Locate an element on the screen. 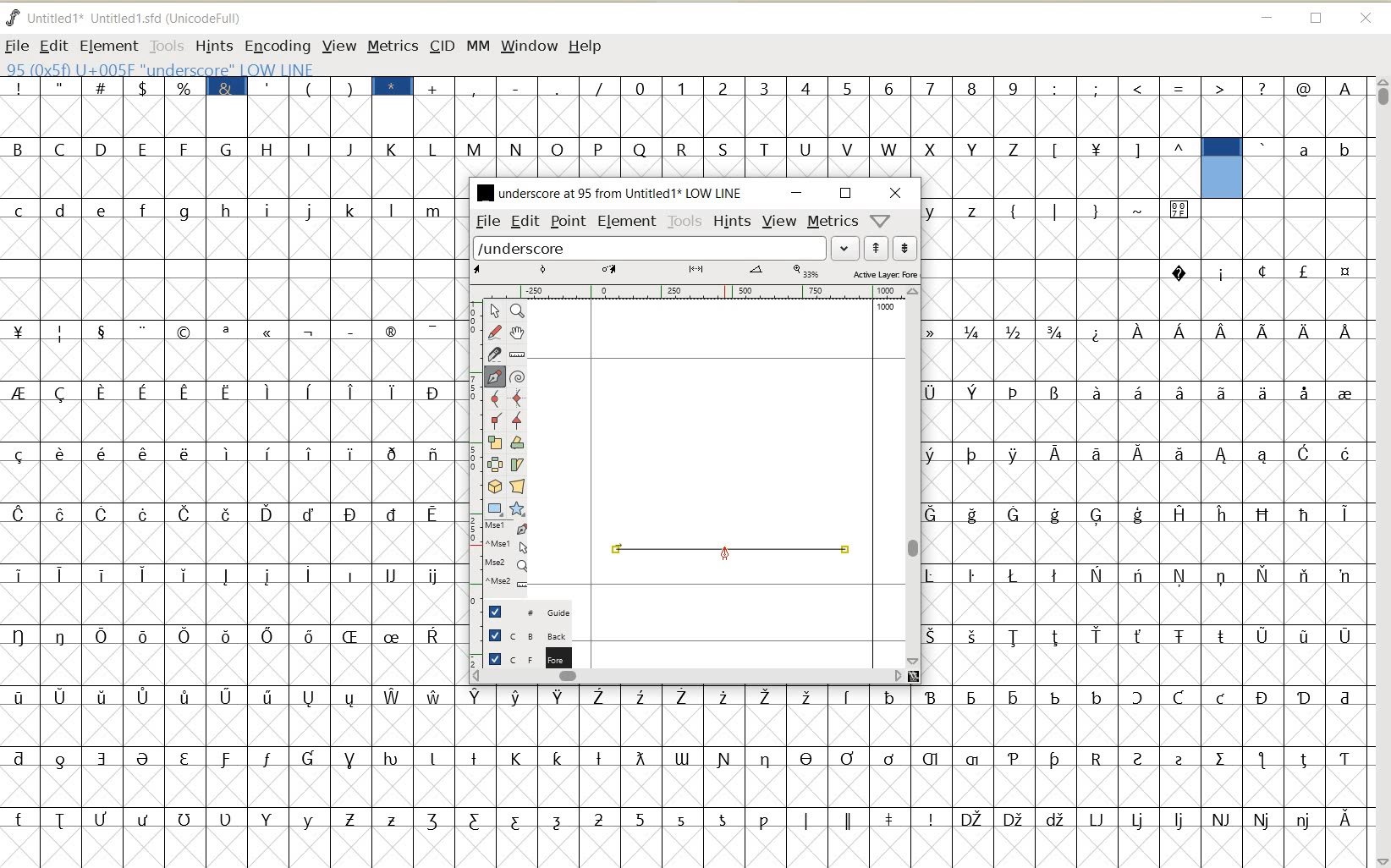 Image resolution: width=1391 pixels, height=868 pixels. ENCODING is located at coordinates (277, 47).